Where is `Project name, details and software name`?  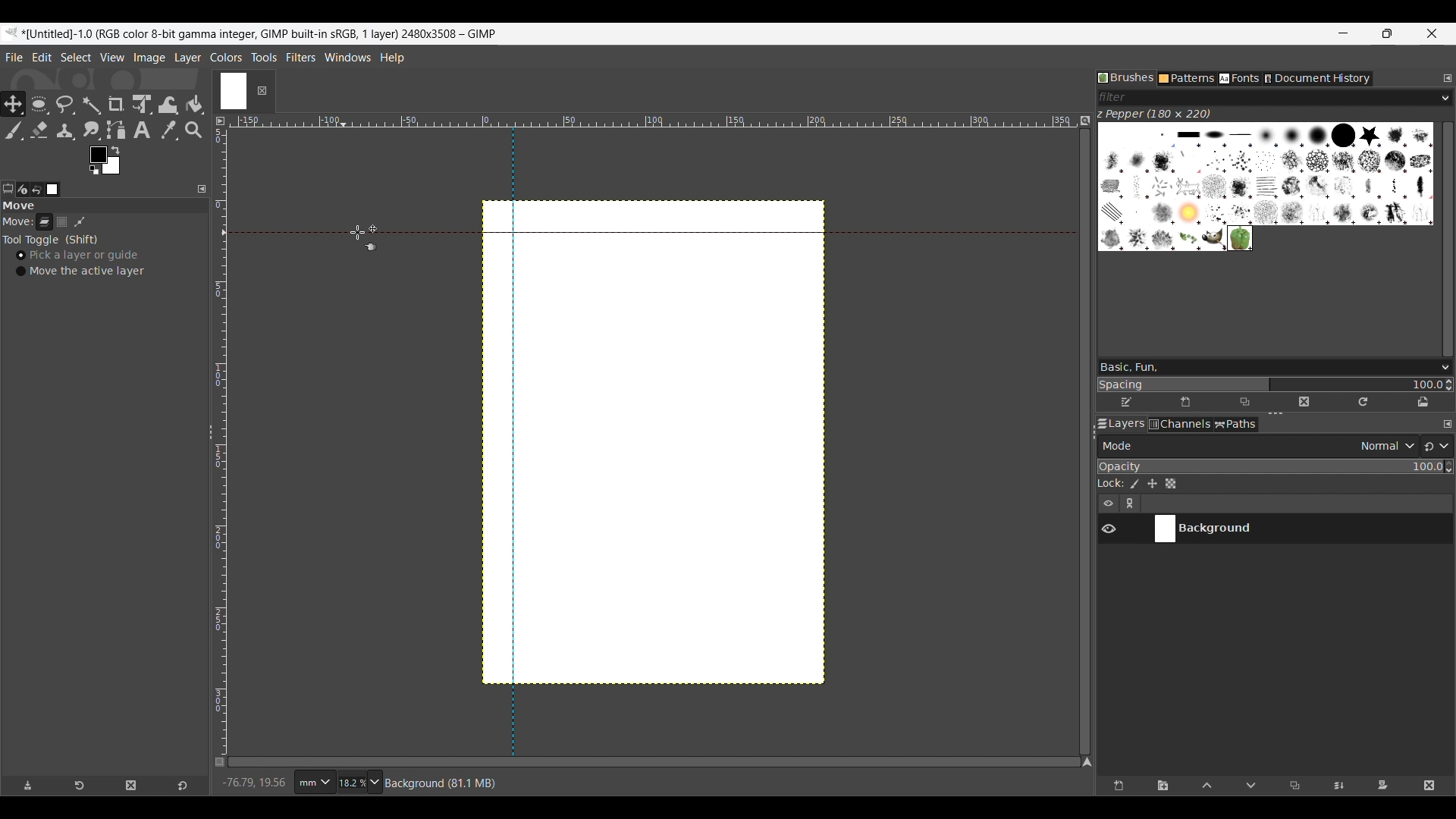 Project name, details and software name is located at coordinates (261, 34).